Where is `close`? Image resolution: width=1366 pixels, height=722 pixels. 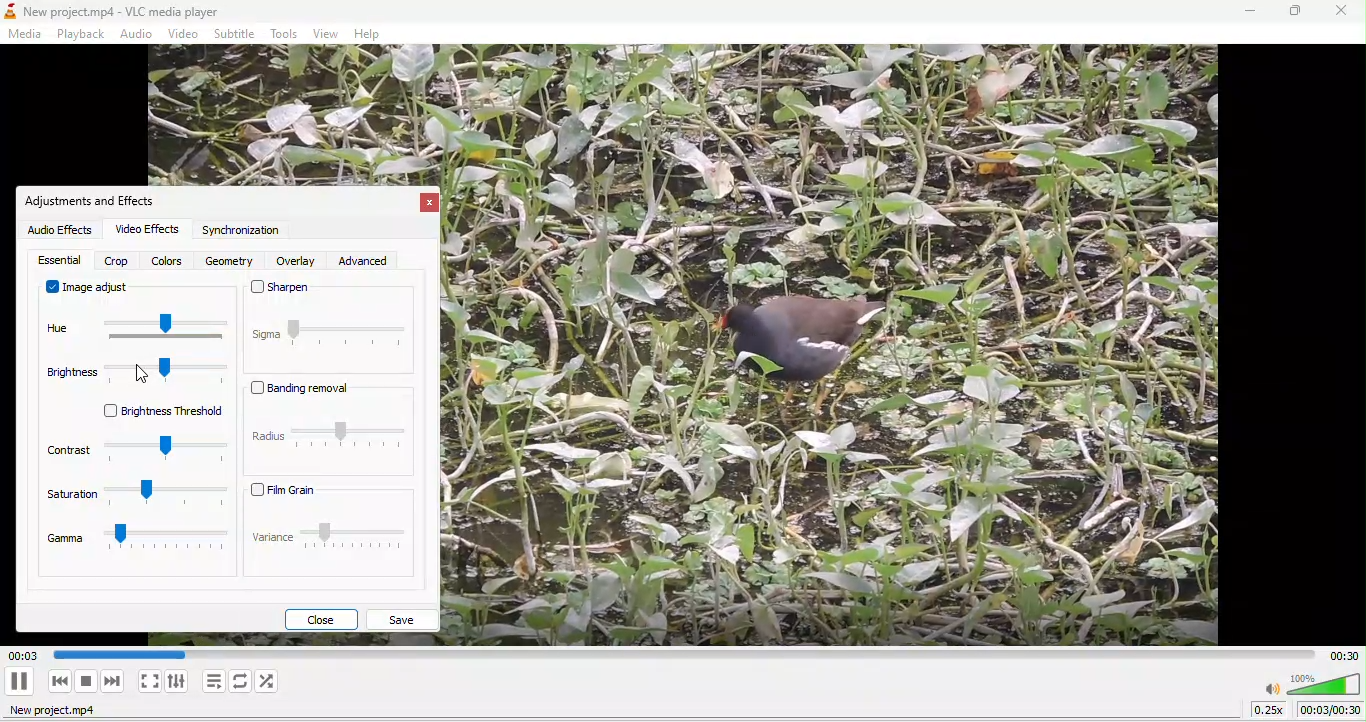 close is located at coordinates (321, 619).